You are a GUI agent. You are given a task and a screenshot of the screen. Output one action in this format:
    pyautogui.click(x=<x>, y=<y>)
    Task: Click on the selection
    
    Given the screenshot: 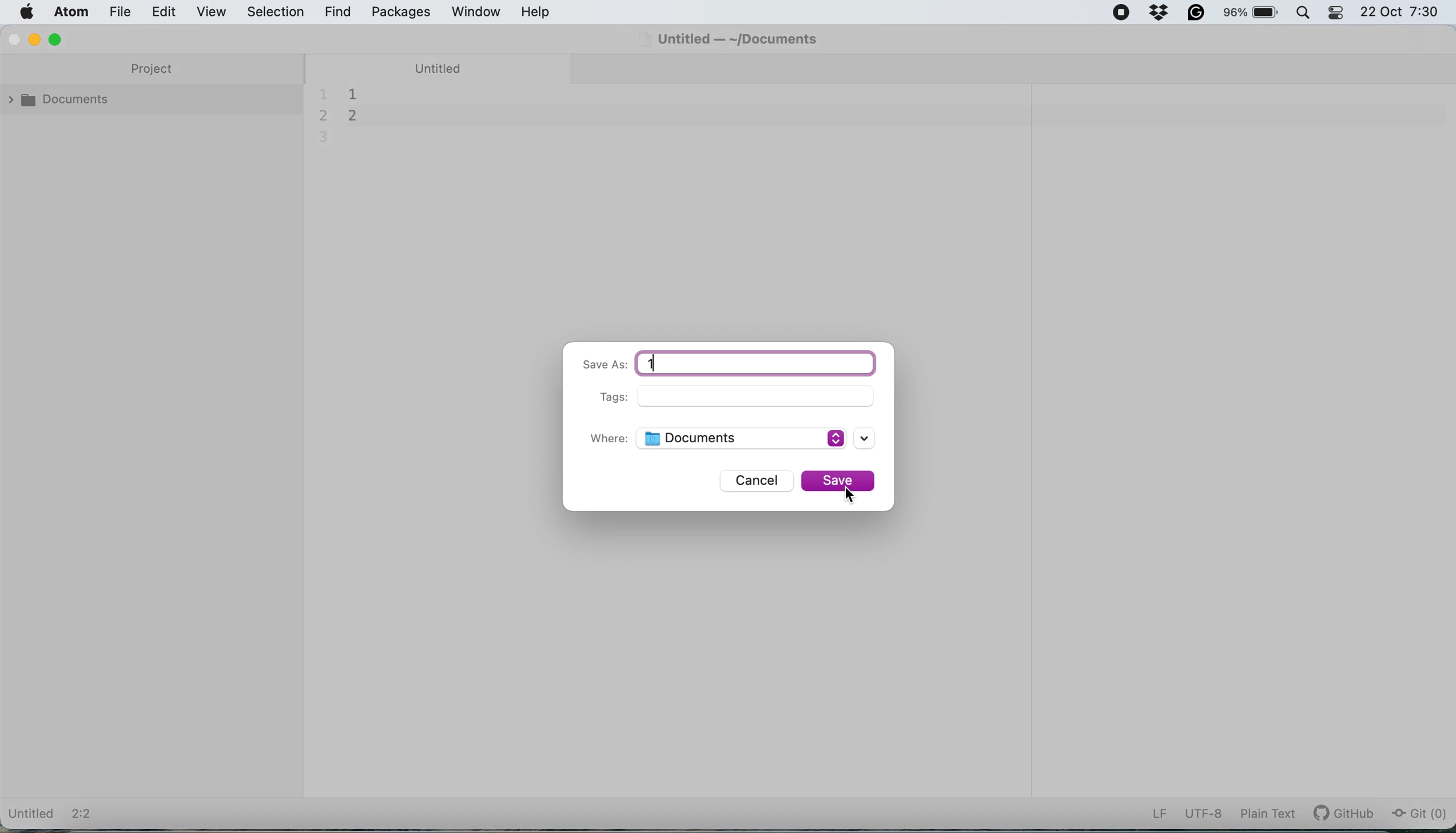 What is the action you would take?
    pyautogui.click(x=278, y=11)
    